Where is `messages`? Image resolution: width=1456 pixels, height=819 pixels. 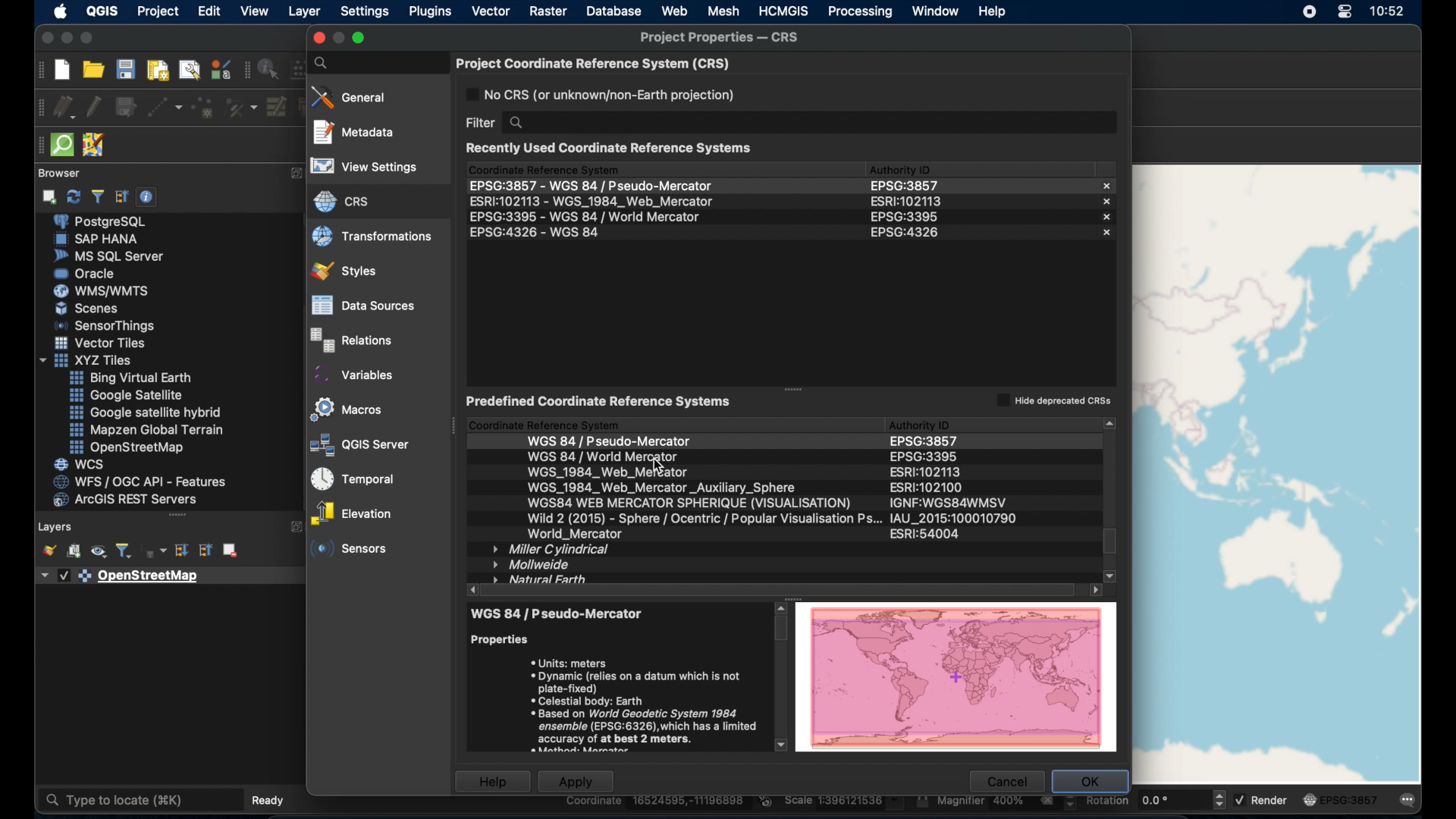
messages is located at coordinates (1411, 801).